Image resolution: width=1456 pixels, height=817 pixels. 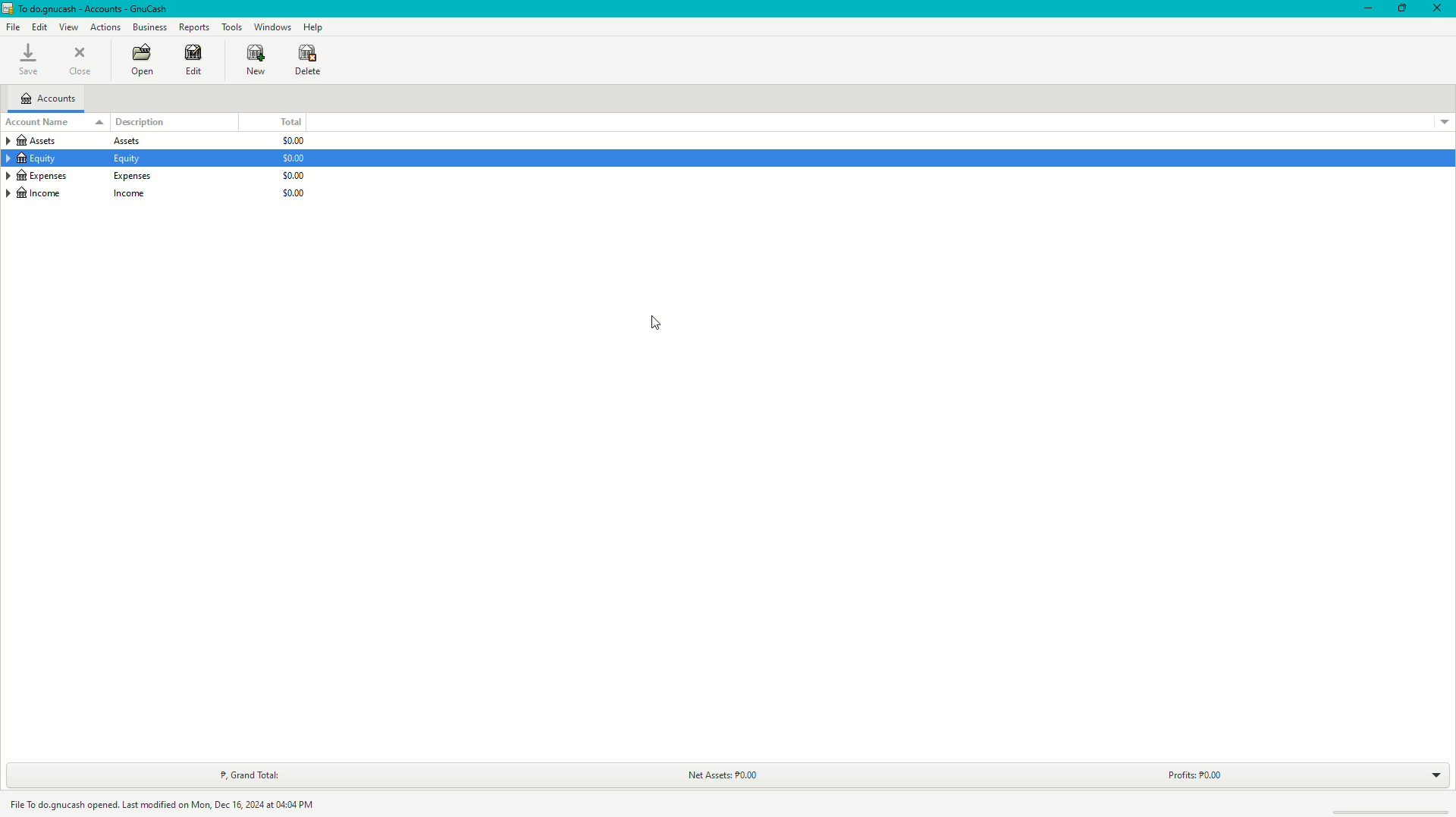 I want to click on Equity, so click(x=74, y=158).